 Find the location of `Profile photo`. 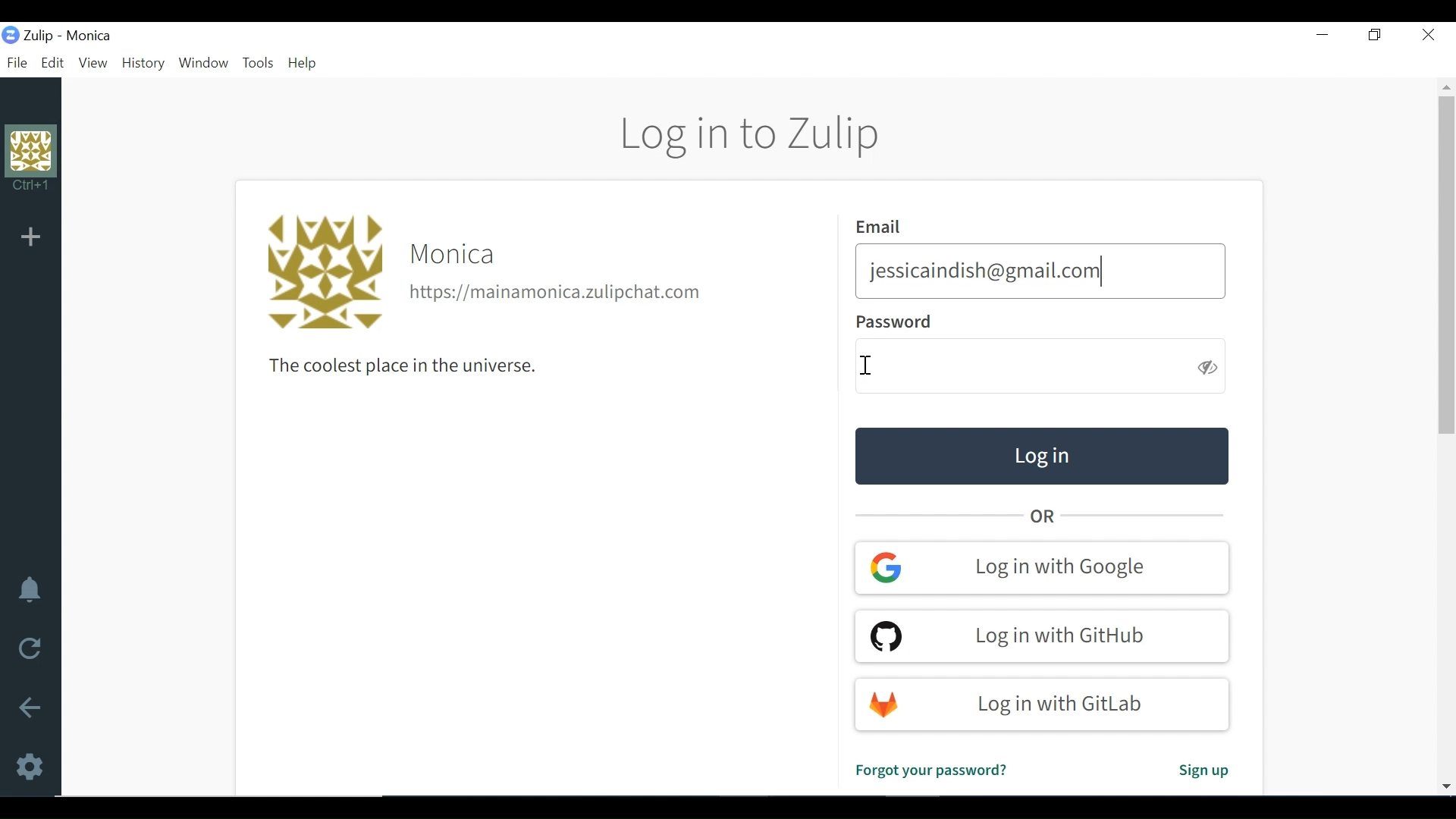

Profile photo is located at coordinates (322, 272).